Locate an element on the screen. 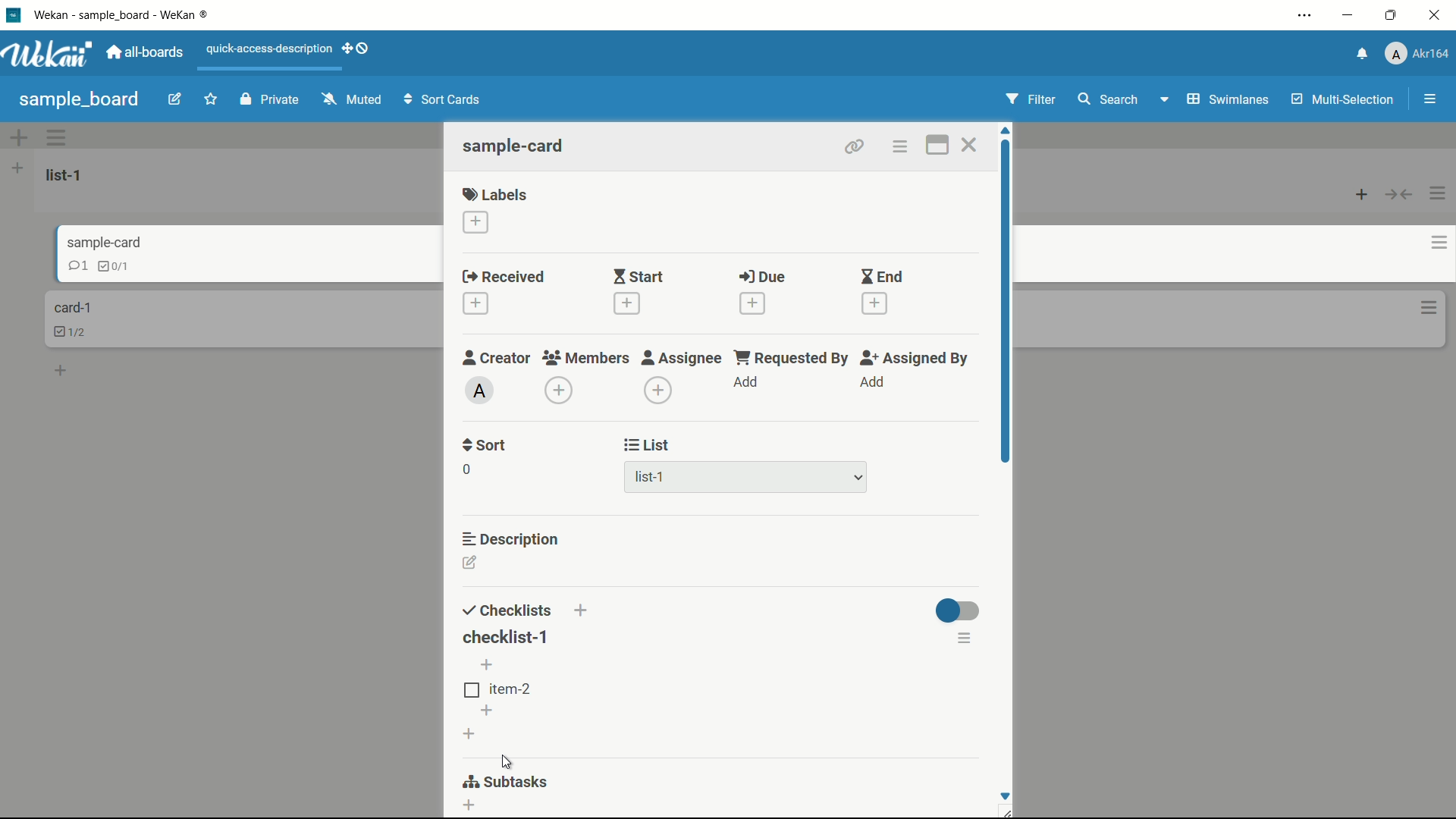 This screenshot has width=1456, height=819. received is located at coordinates (504, 276).